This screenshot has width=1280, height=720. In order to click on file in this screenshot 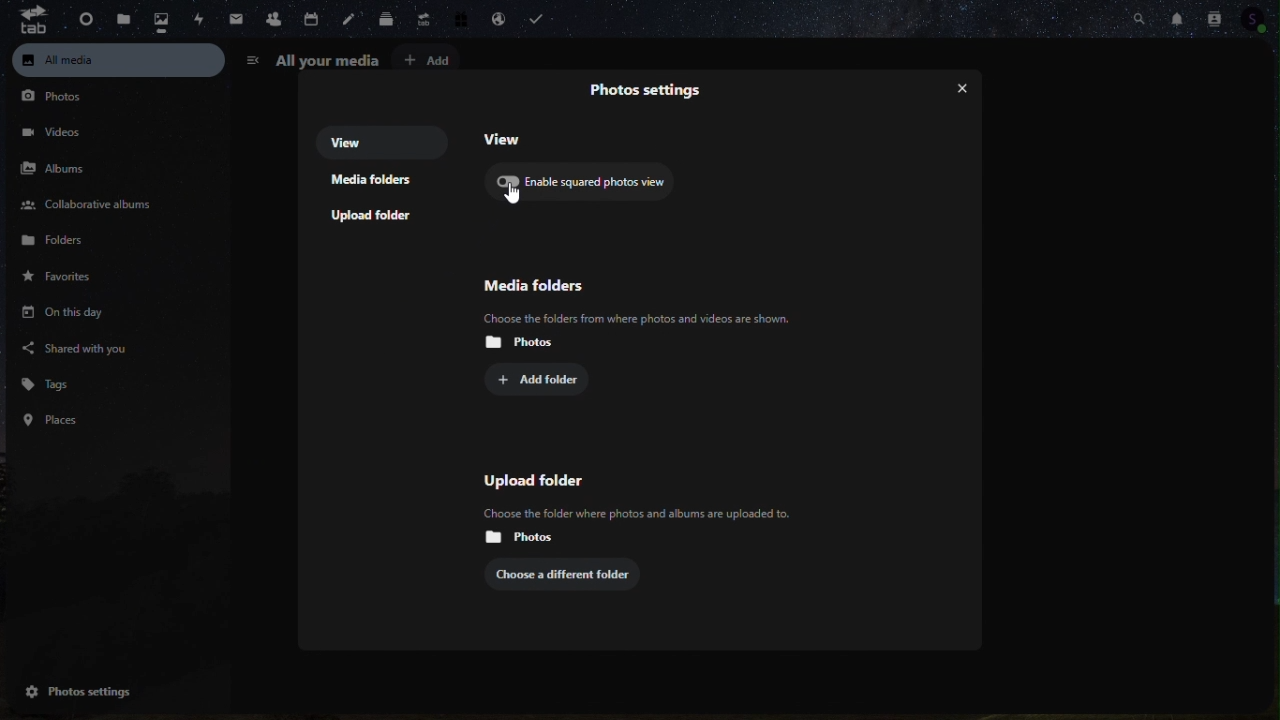, I will do `click(123, 20)`.